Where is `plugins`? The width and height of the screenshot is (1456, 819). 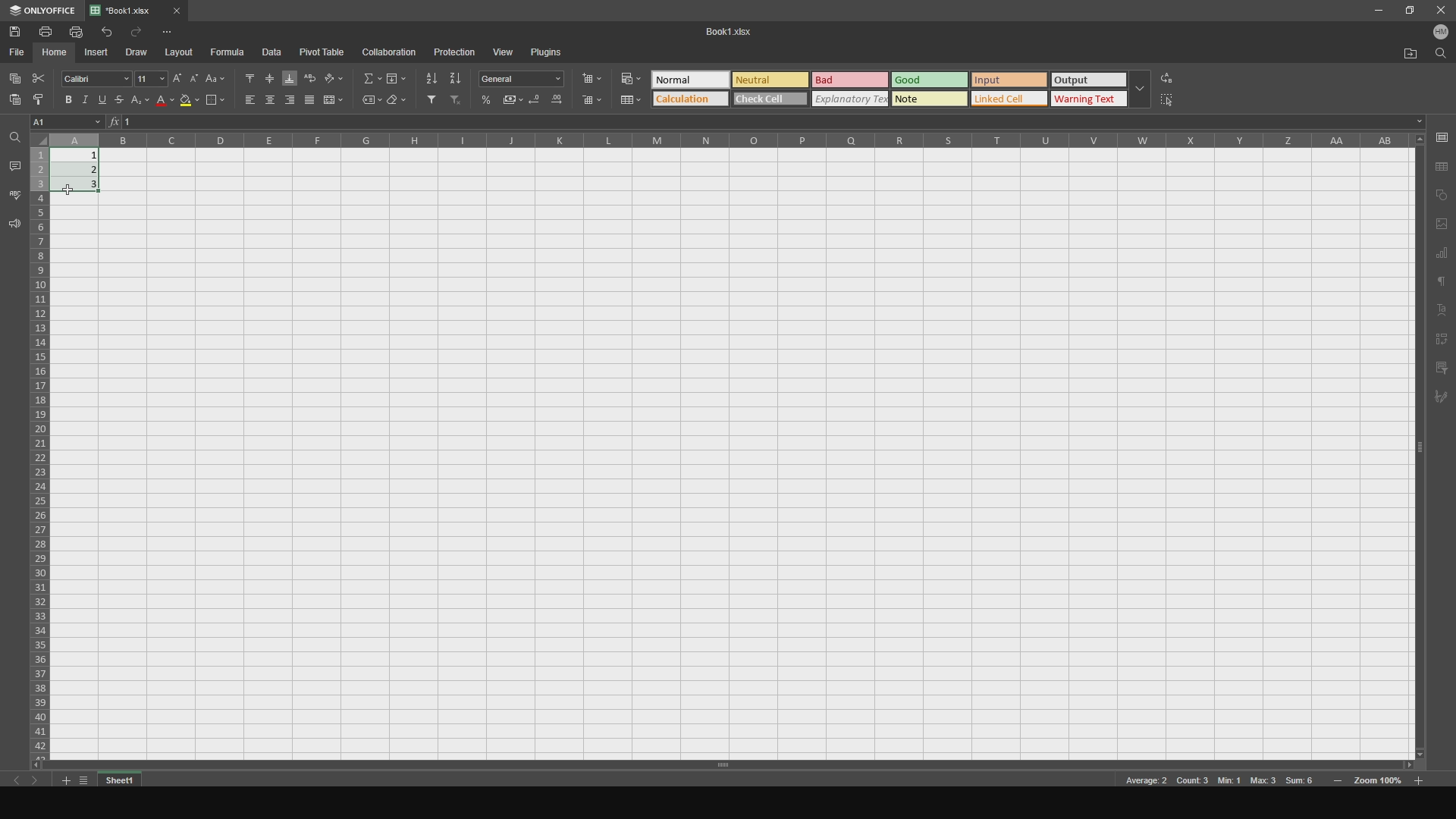
plugins is located at coordinates (554, 53).